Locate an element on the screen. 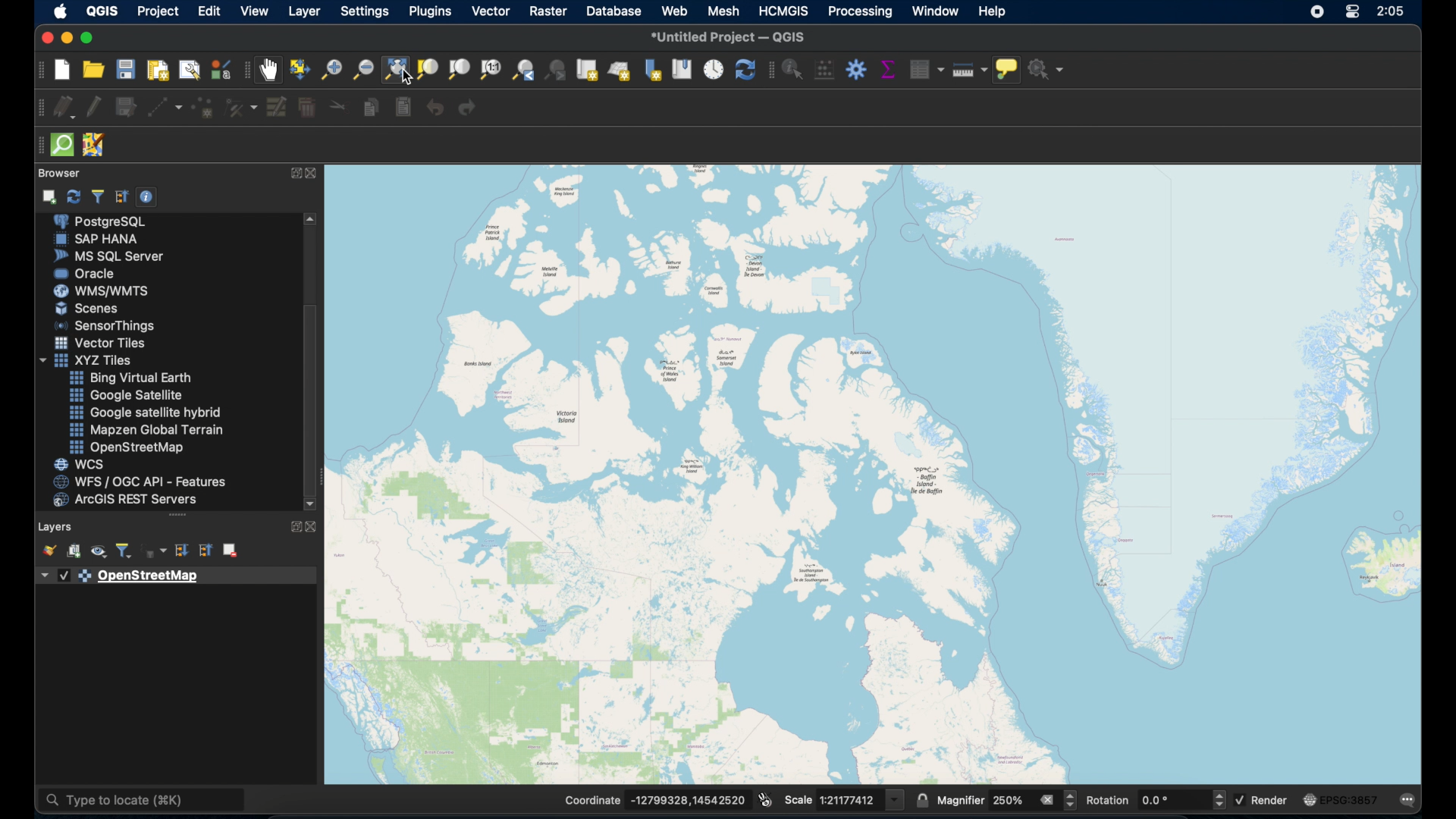  vertex tool is located at coordinates (243, 110).